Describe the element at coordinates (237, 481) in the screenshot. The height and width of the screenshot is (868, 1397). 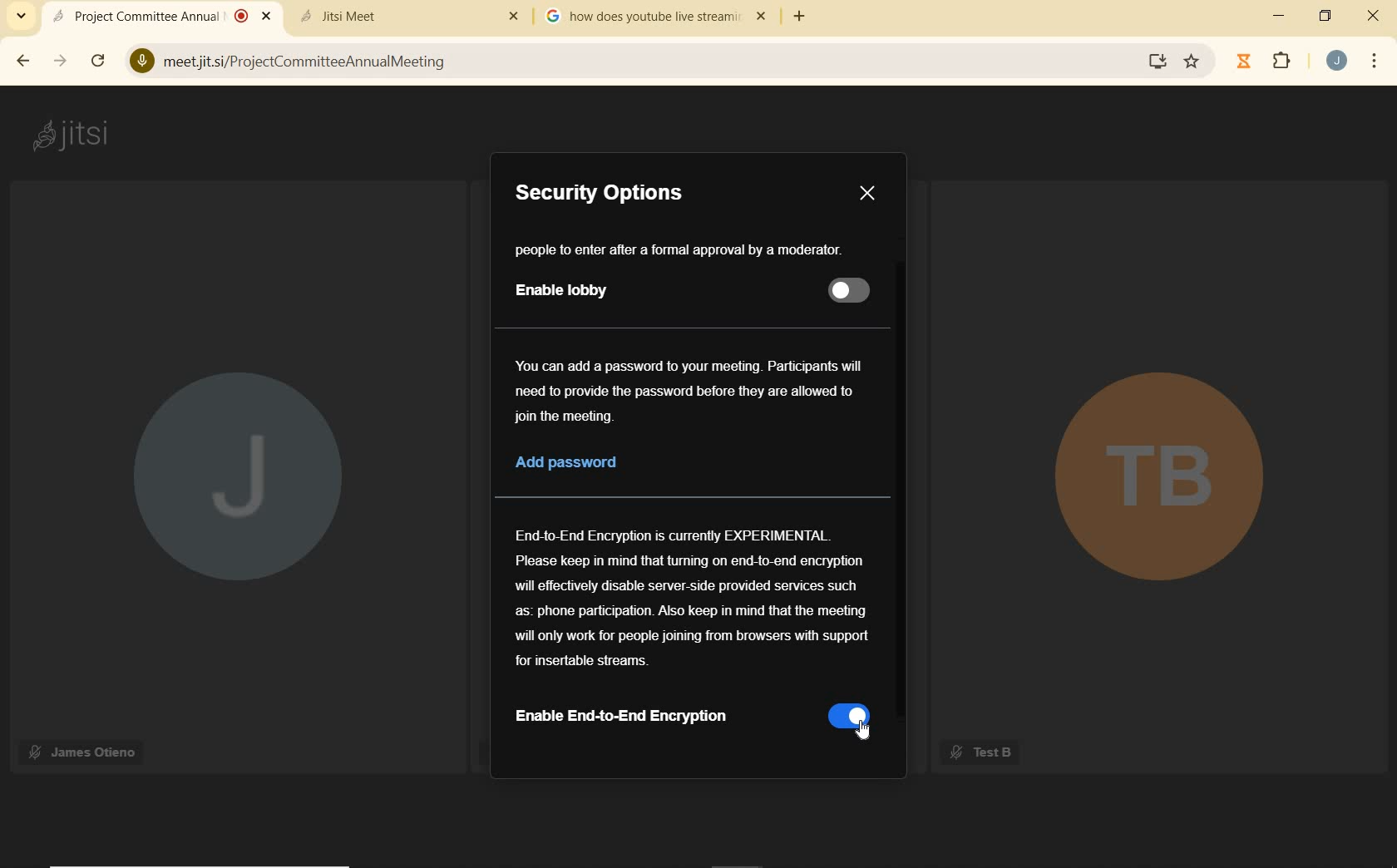
I see `J` at that location.